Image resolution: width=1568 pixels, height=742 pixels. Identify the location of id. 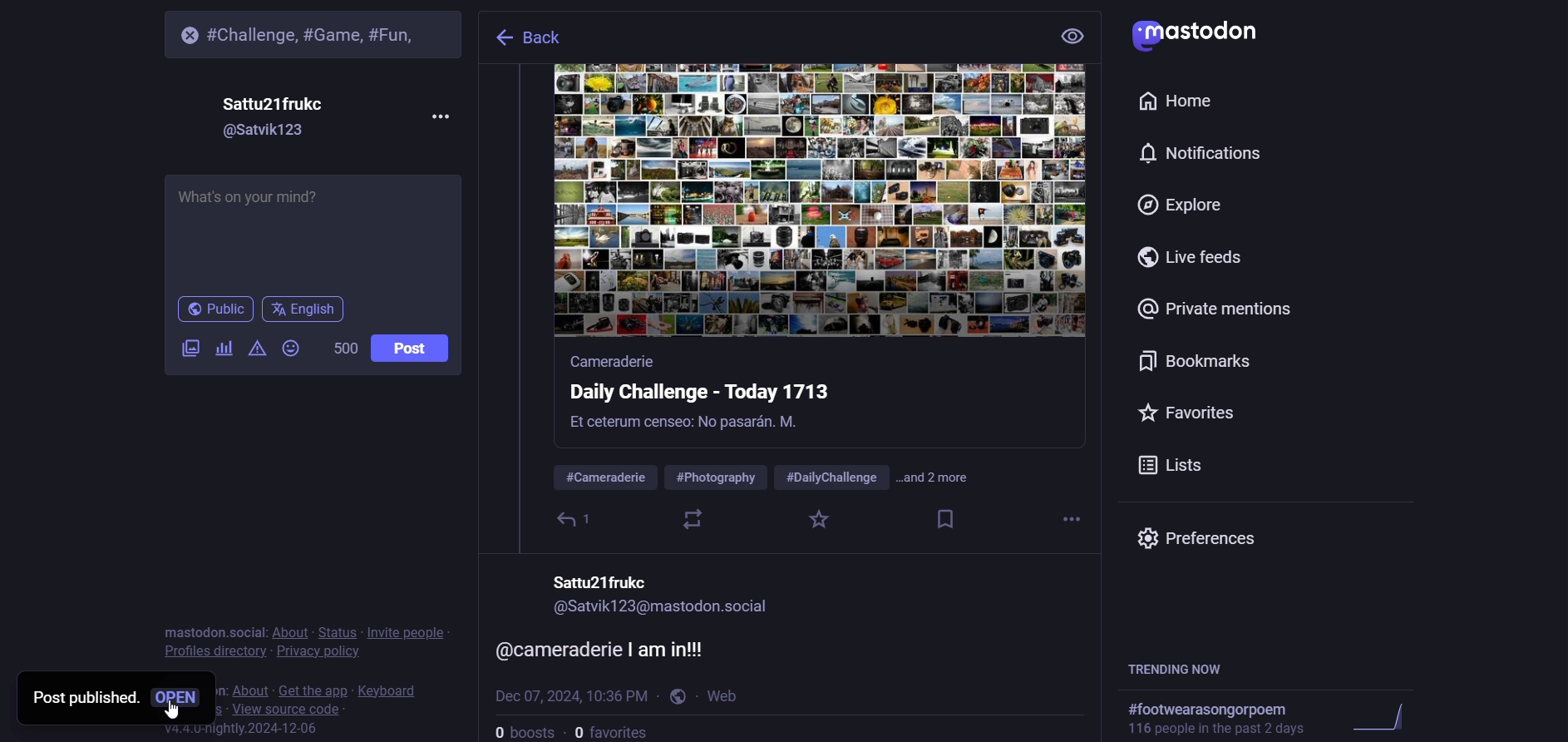
(277, 132).